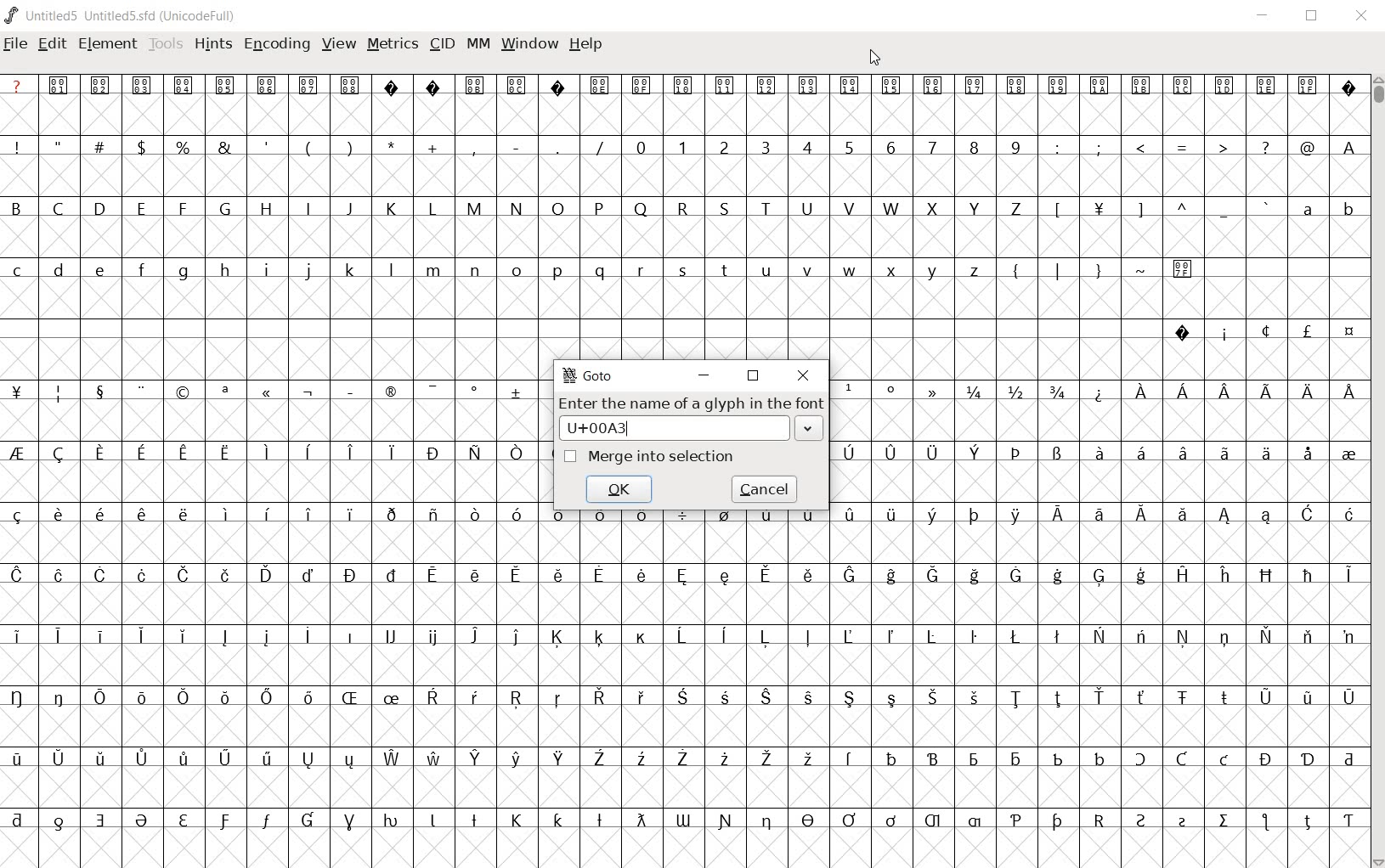  What do you see at coordinates (266, 576) in the screenshot?
I see `Symbol` at bounding box center [266, 576].